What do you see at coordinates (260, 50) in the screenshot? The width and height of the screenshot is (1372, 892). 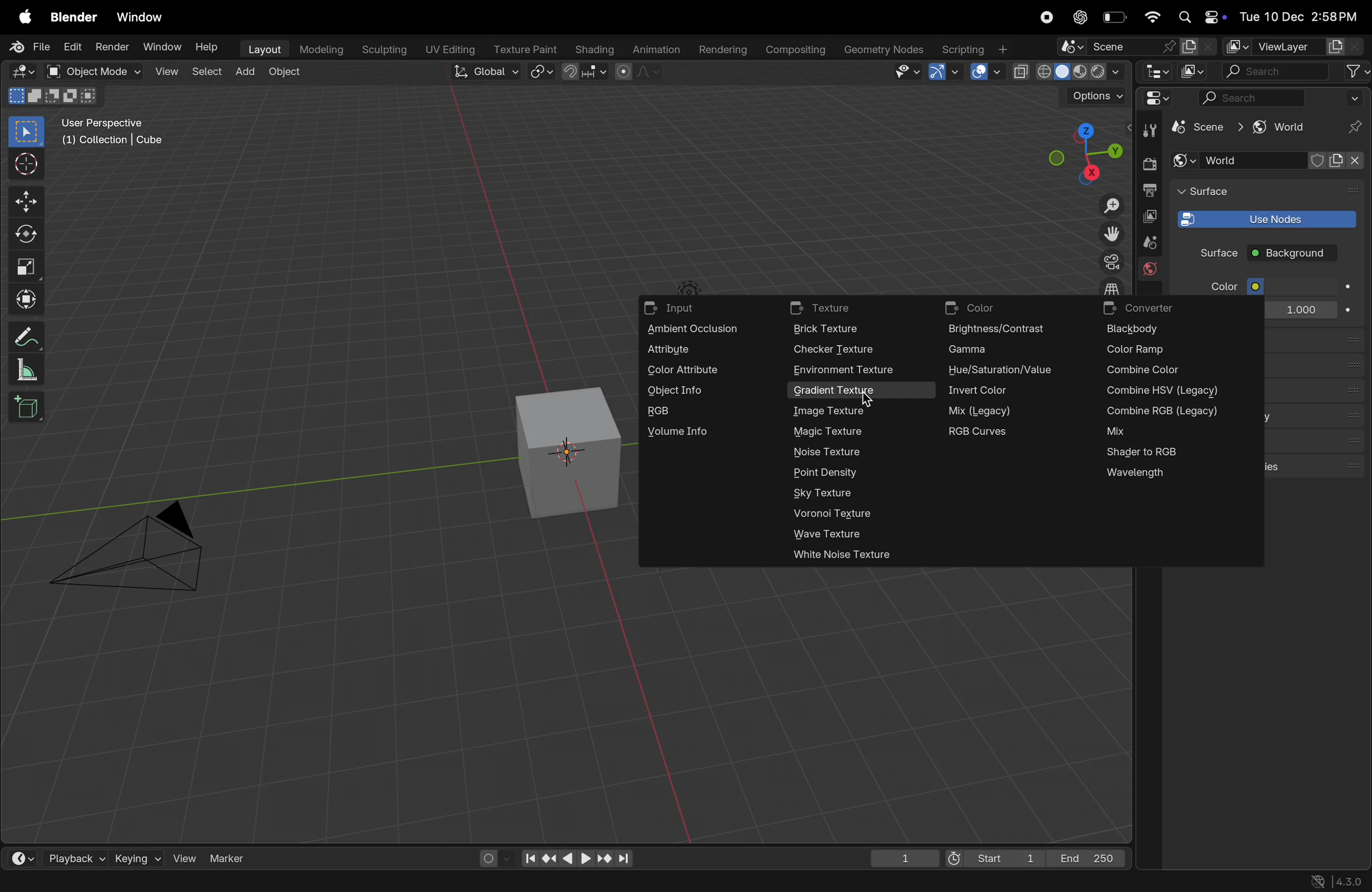 I see `layout` at bounding box center [260, 50].